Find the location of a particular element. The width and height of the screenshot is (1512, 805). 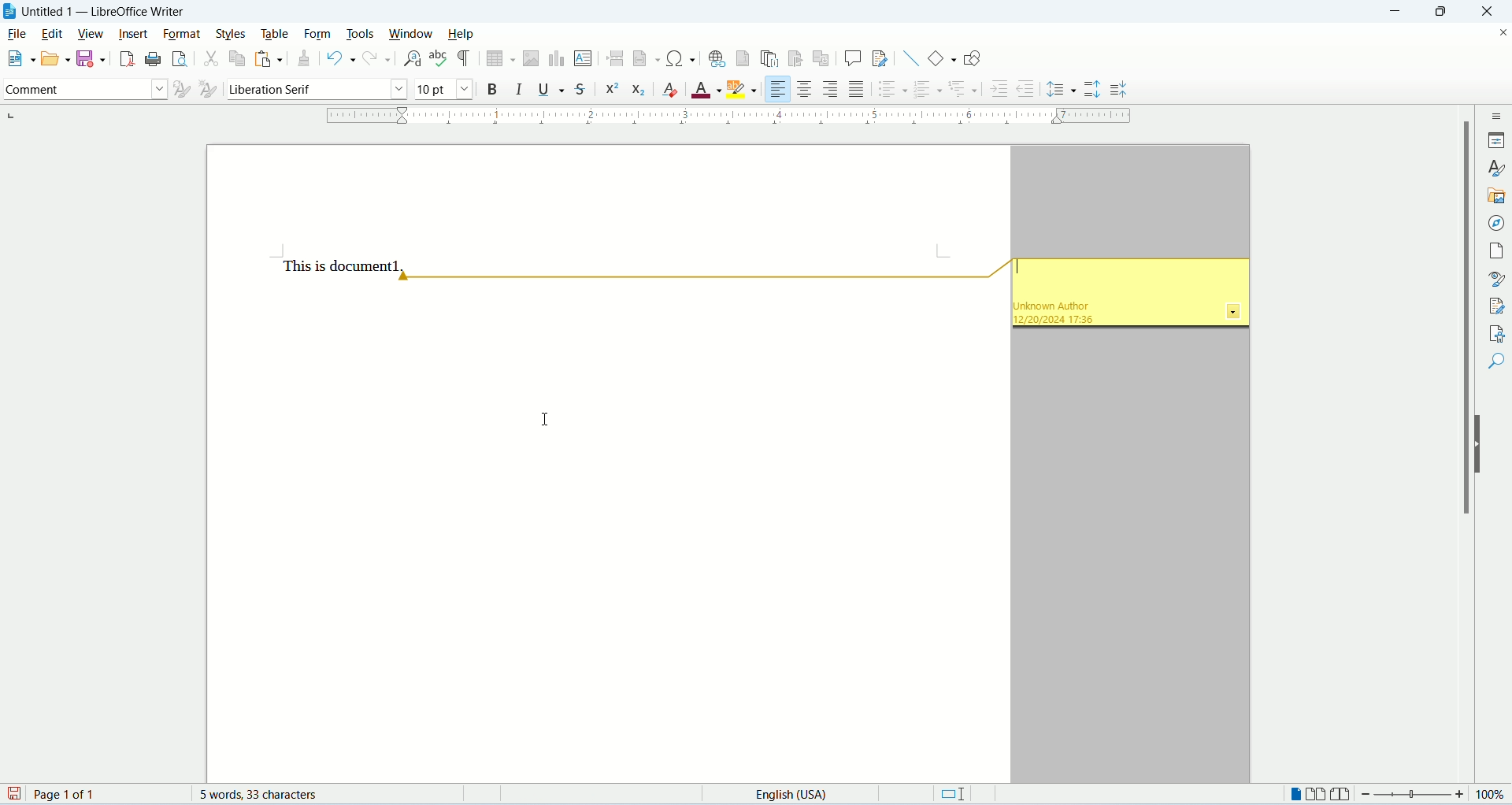

insert footnote is located at coordinates (743, 58).